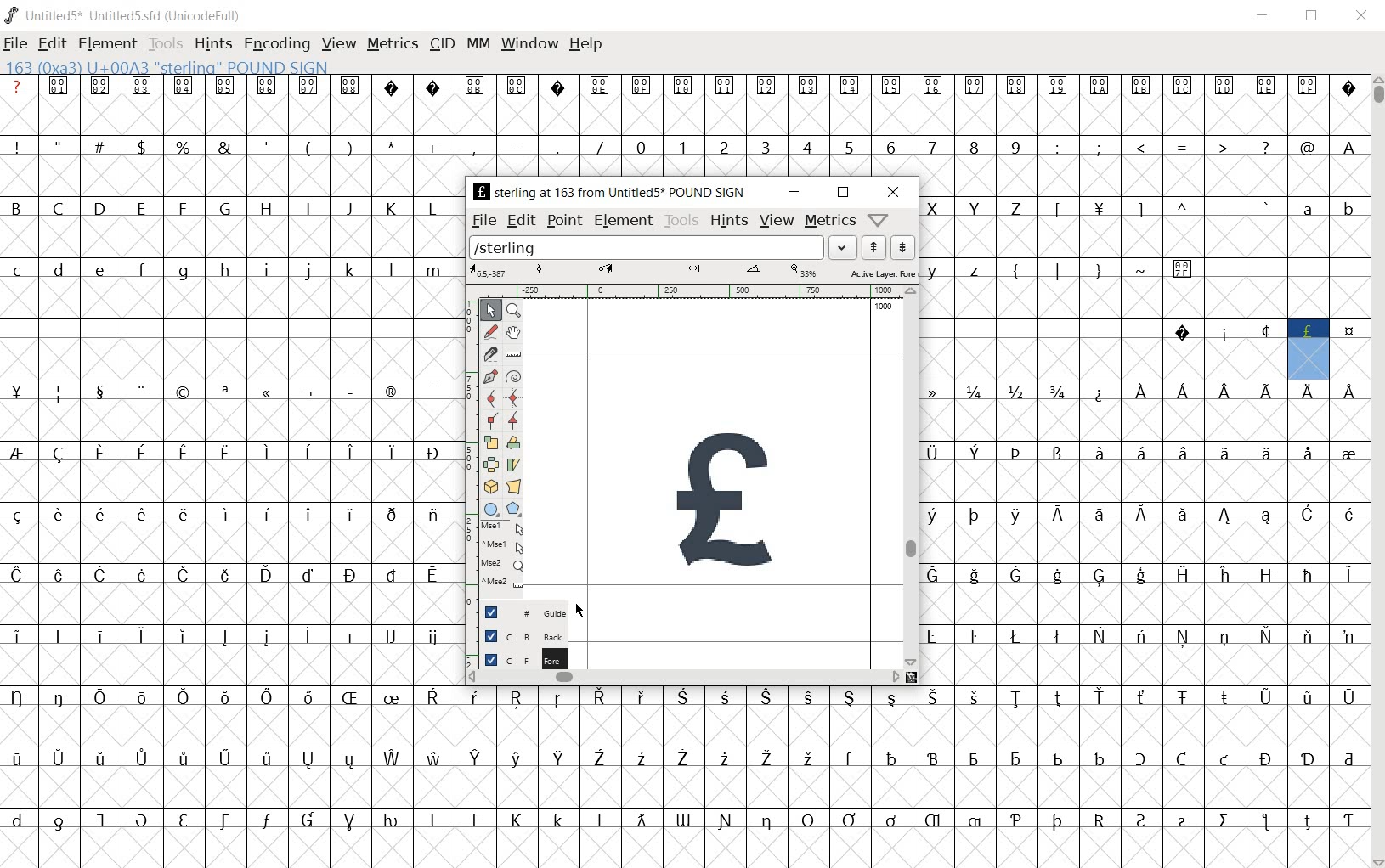 Image resolution: width=1385 pixels, height=868 pixels. Describe the element at coordinates (1141, 577) in the screenshot. I see `Symbol` at that location.